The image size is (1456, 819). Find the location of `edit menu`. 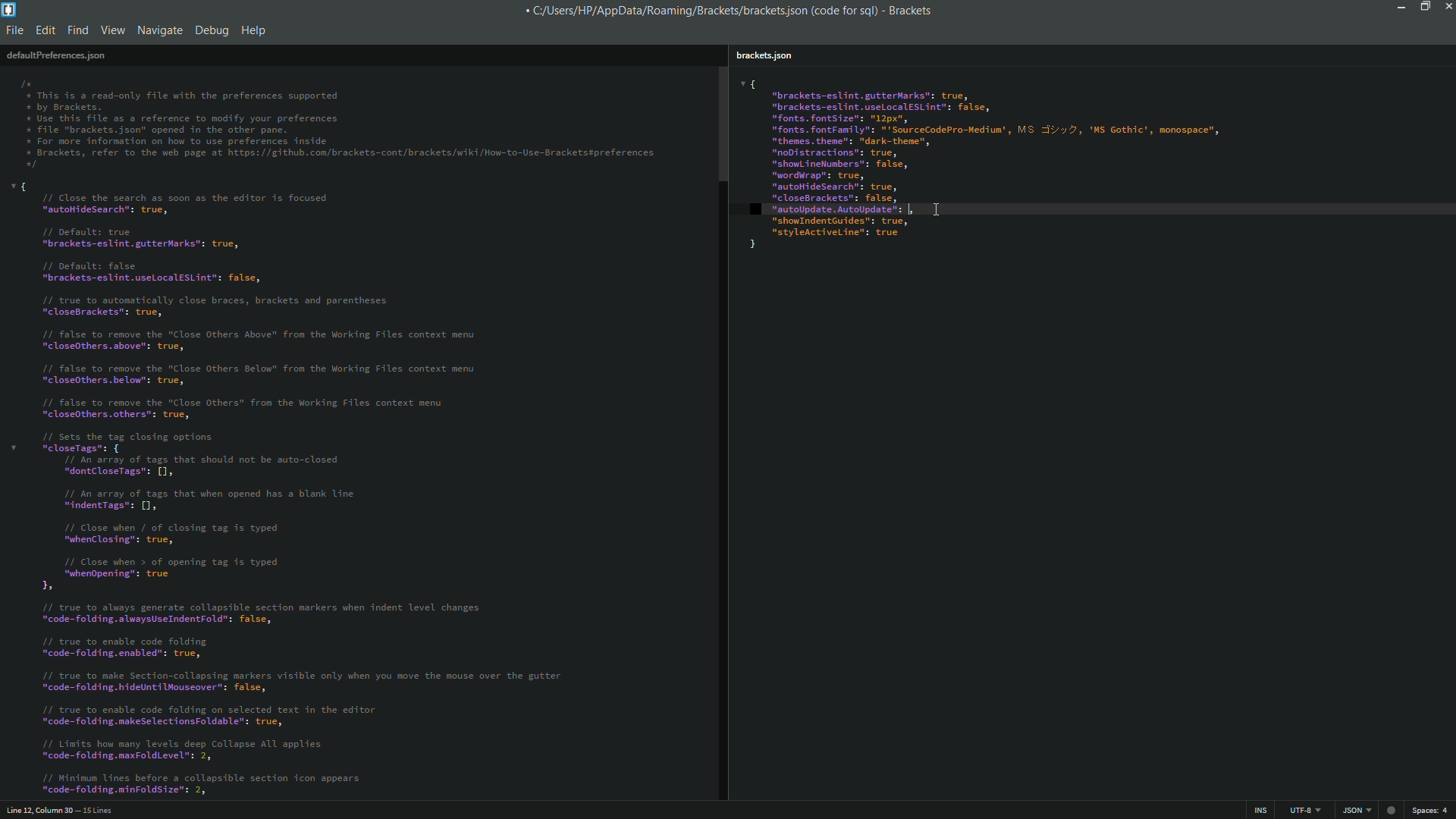

edit menu is located at coordinates (45, 30).